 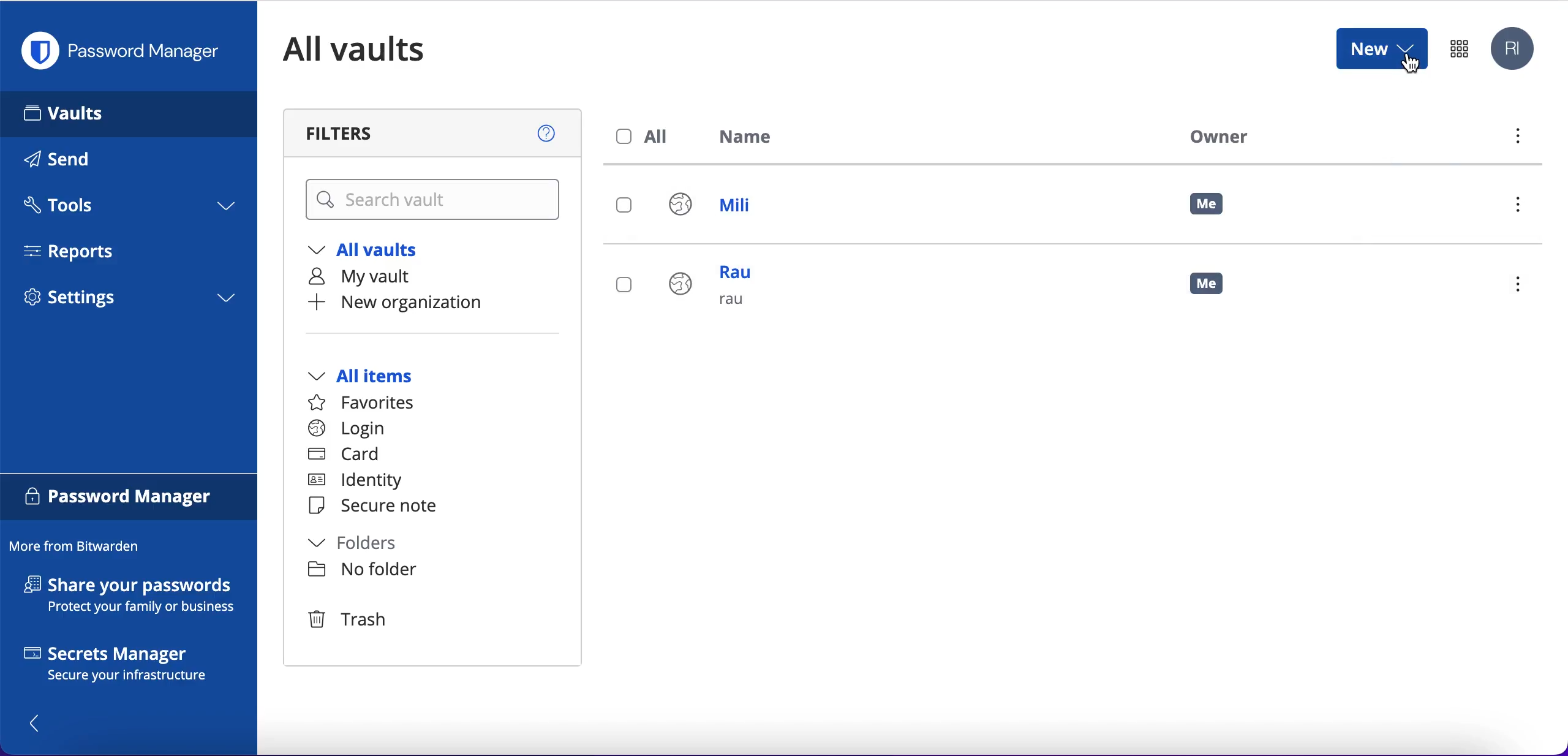 What do you see at coordinates (129, 113) in the screenshot?
I see `vaults` at bounding box center [129, 113].